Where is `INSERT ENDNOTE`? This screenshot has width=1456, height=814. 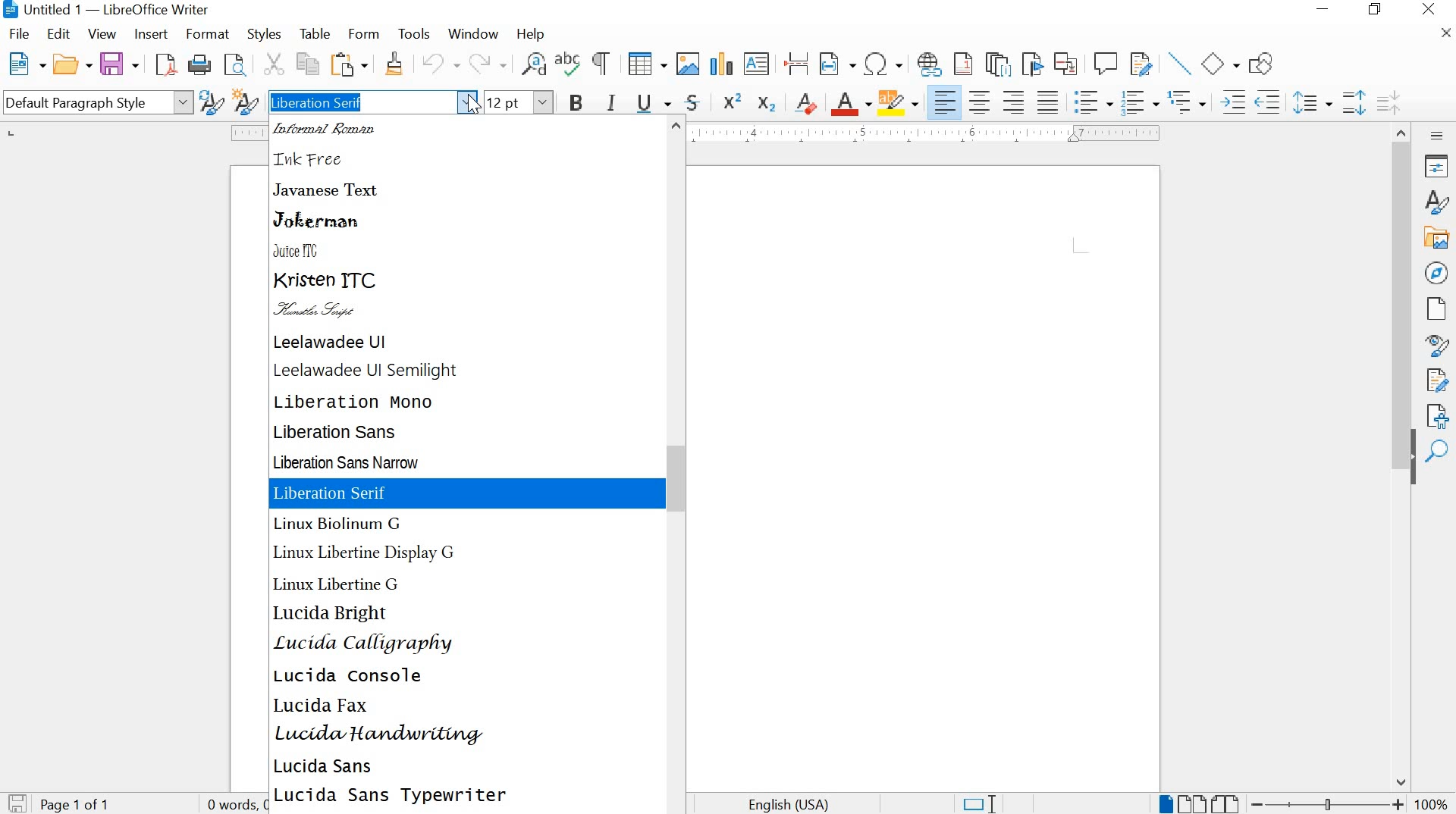
INSERT ENDNOTE is located at coordinates (996, 64).